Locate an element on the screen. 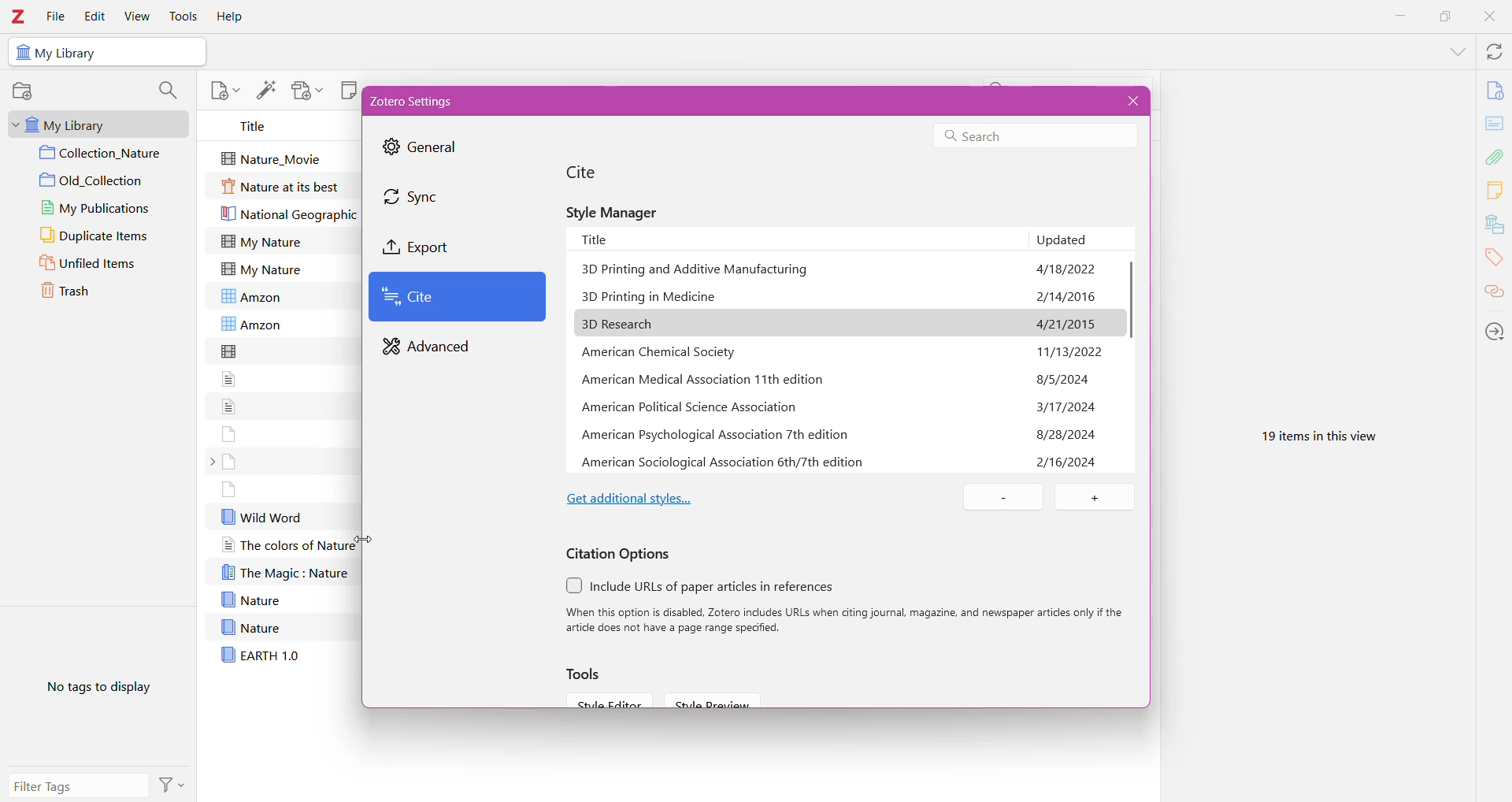 This screenshot has width=1512, height=802. Wild Word is located at coordinates (262, 516).